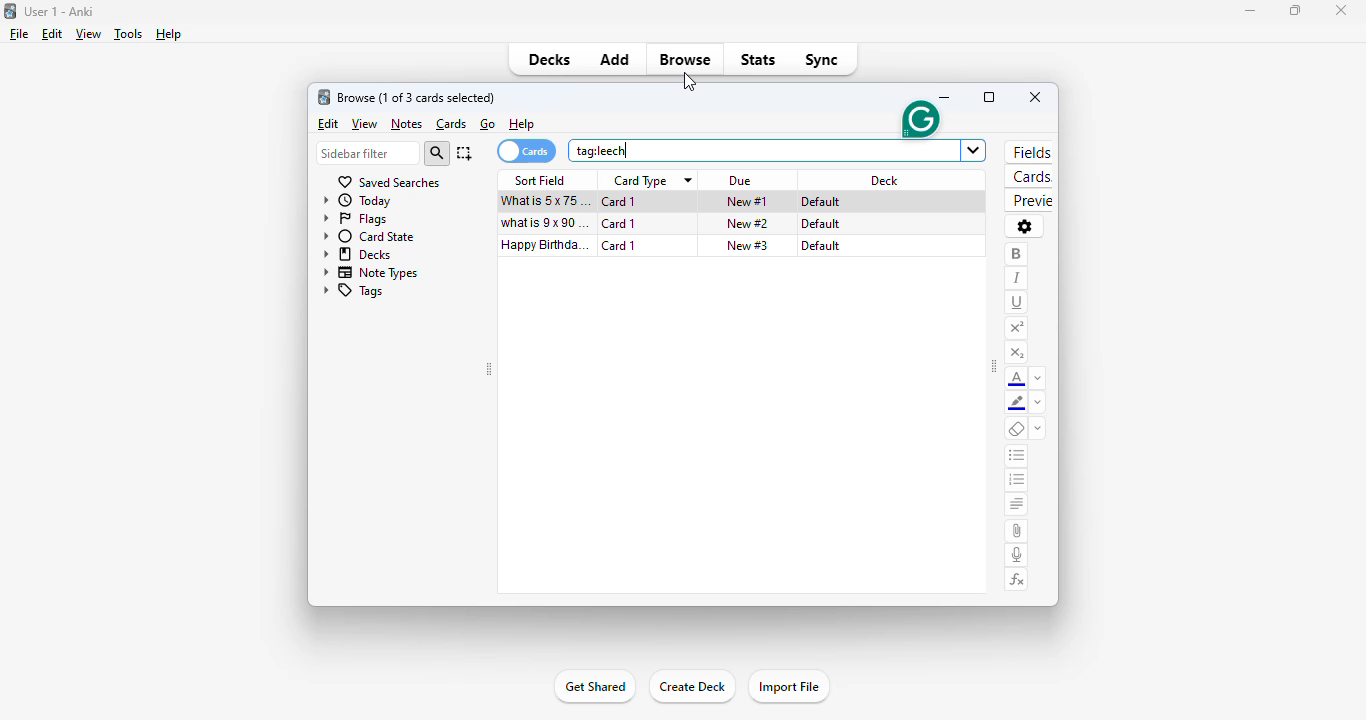 The image size is (1366, 720). What do you see at coordinates (822, 246) in the screenshot?
I see `default` at bounding box center [822, 246].